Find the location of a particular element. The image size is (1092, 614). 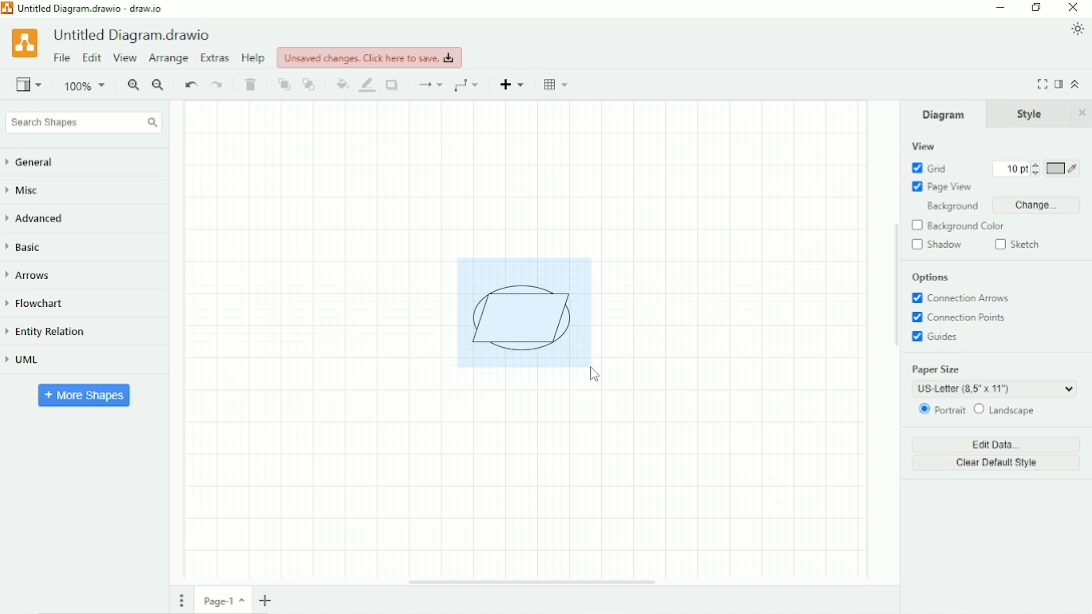

Landscape is located at coordinates (1006, 410).